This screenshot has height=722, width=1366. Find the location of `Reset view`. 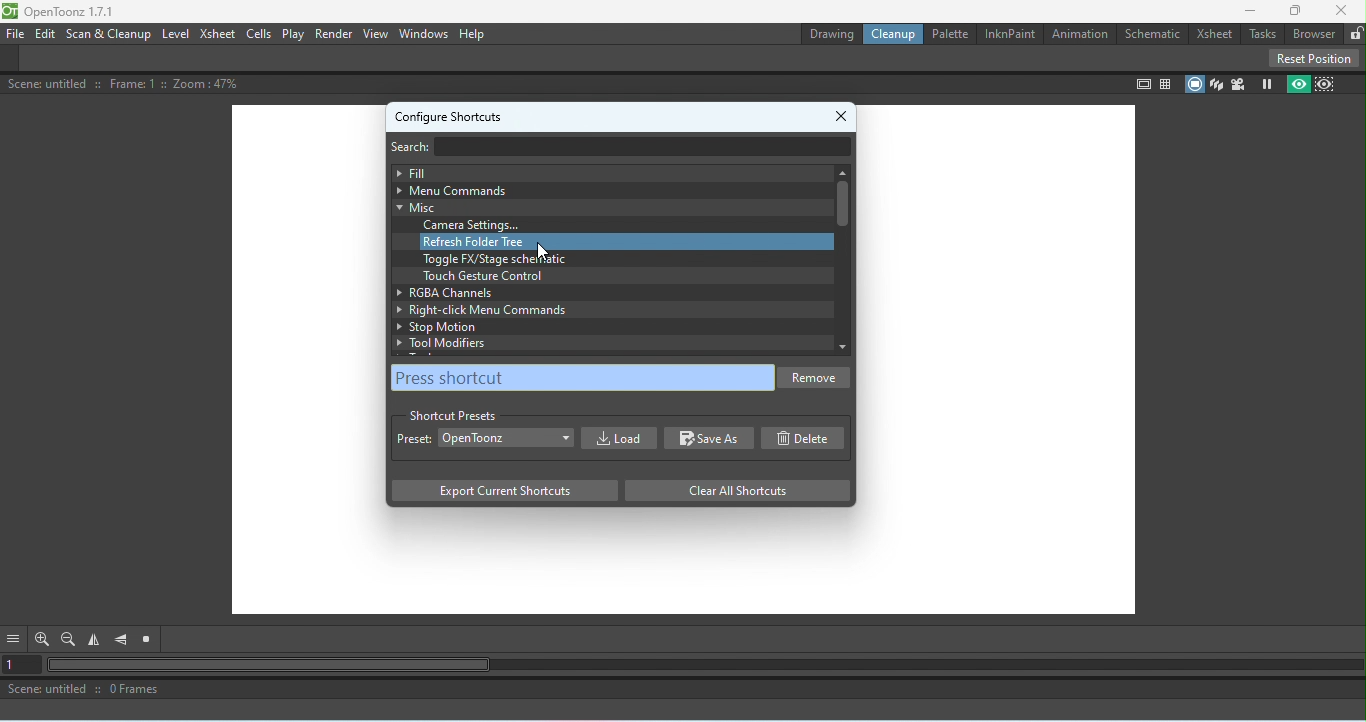

Reset view is located at coordinates (150, 640).